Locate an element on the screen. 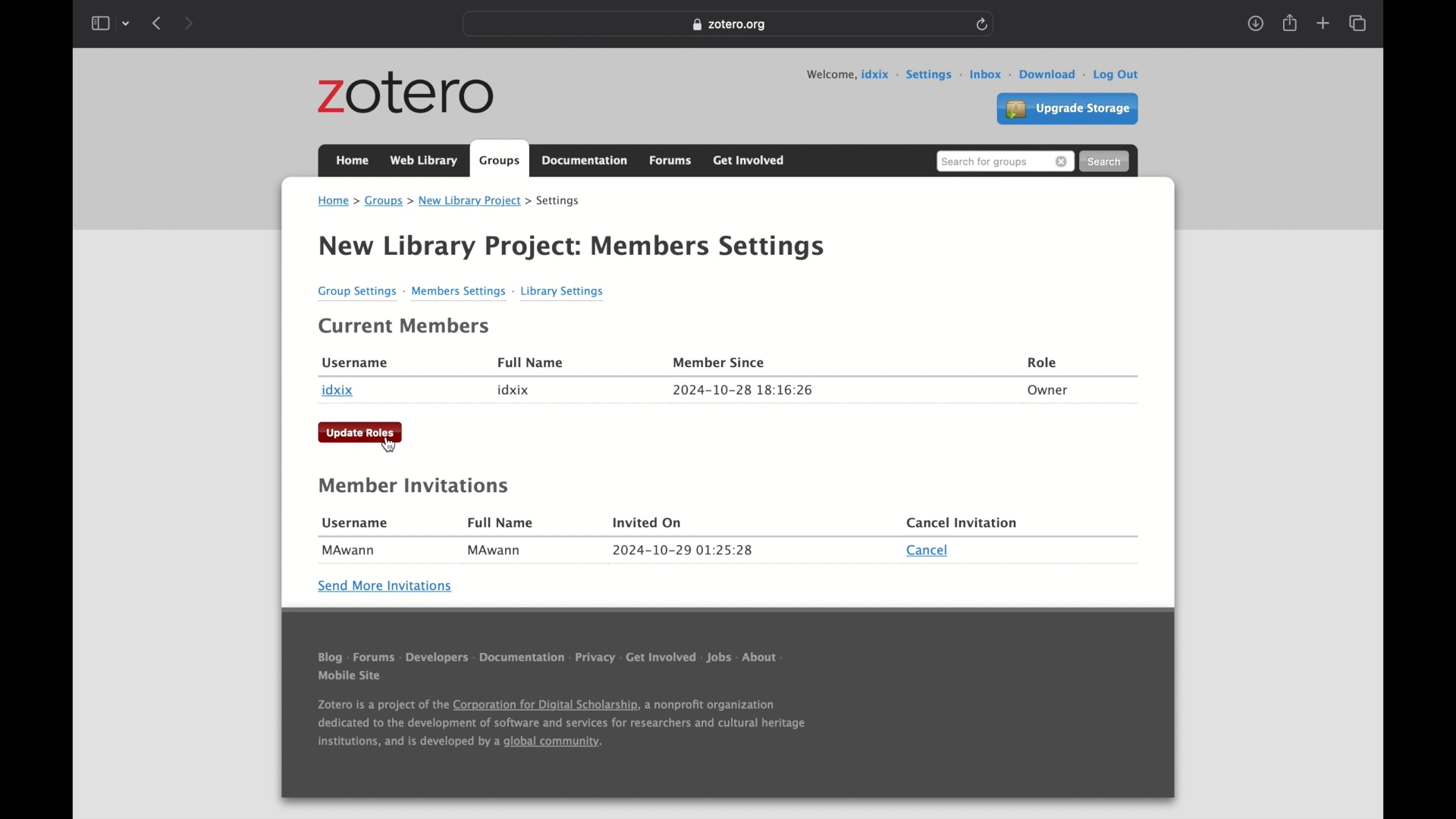 The width and height of the screenshot is (1456, 819). documentation is located at coordinates (522, 656).